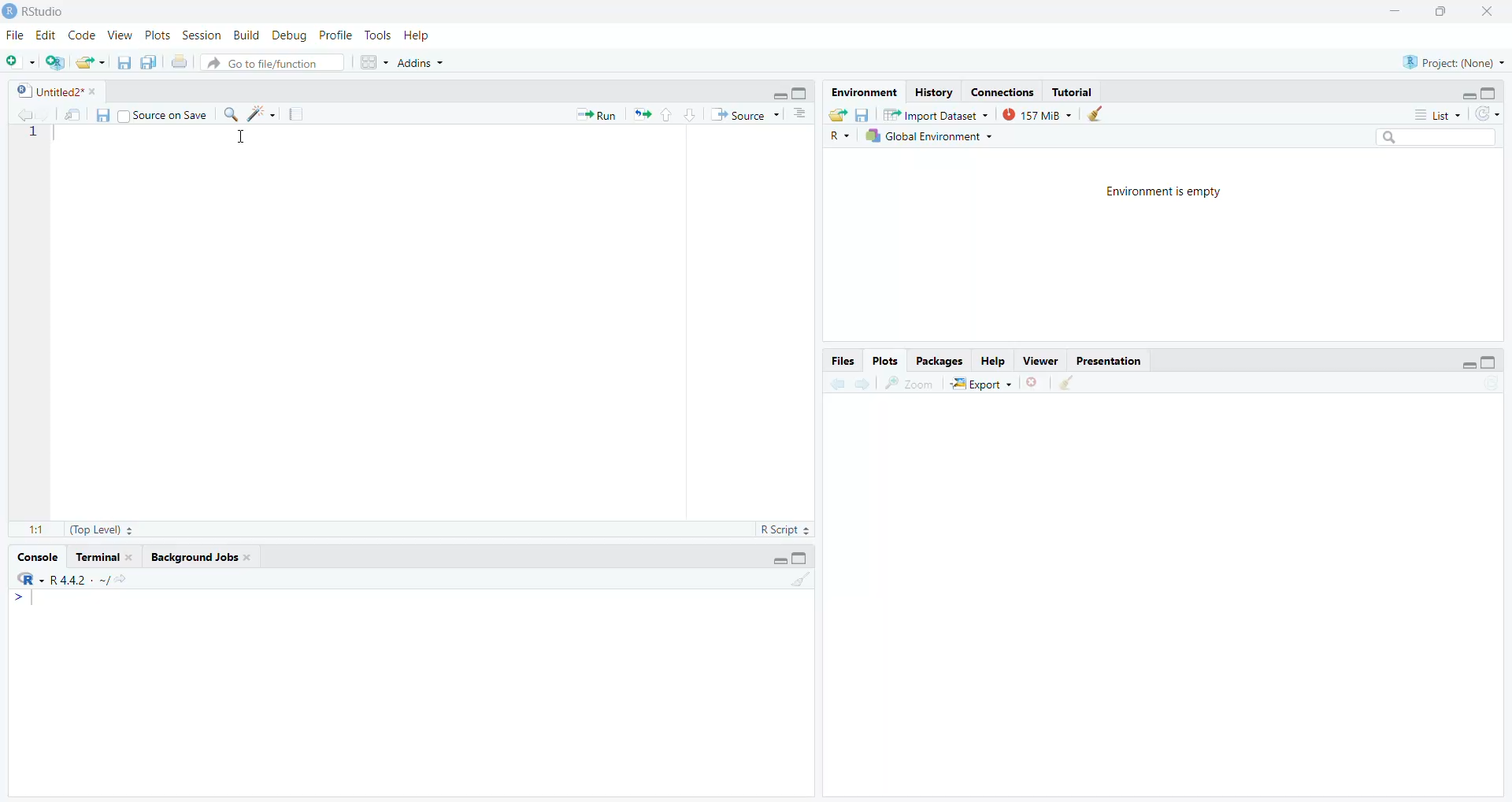 The image size is (1512, 802). Describe the element at coordinates (1487, 12) in the screenshot. I see `close` at that location.